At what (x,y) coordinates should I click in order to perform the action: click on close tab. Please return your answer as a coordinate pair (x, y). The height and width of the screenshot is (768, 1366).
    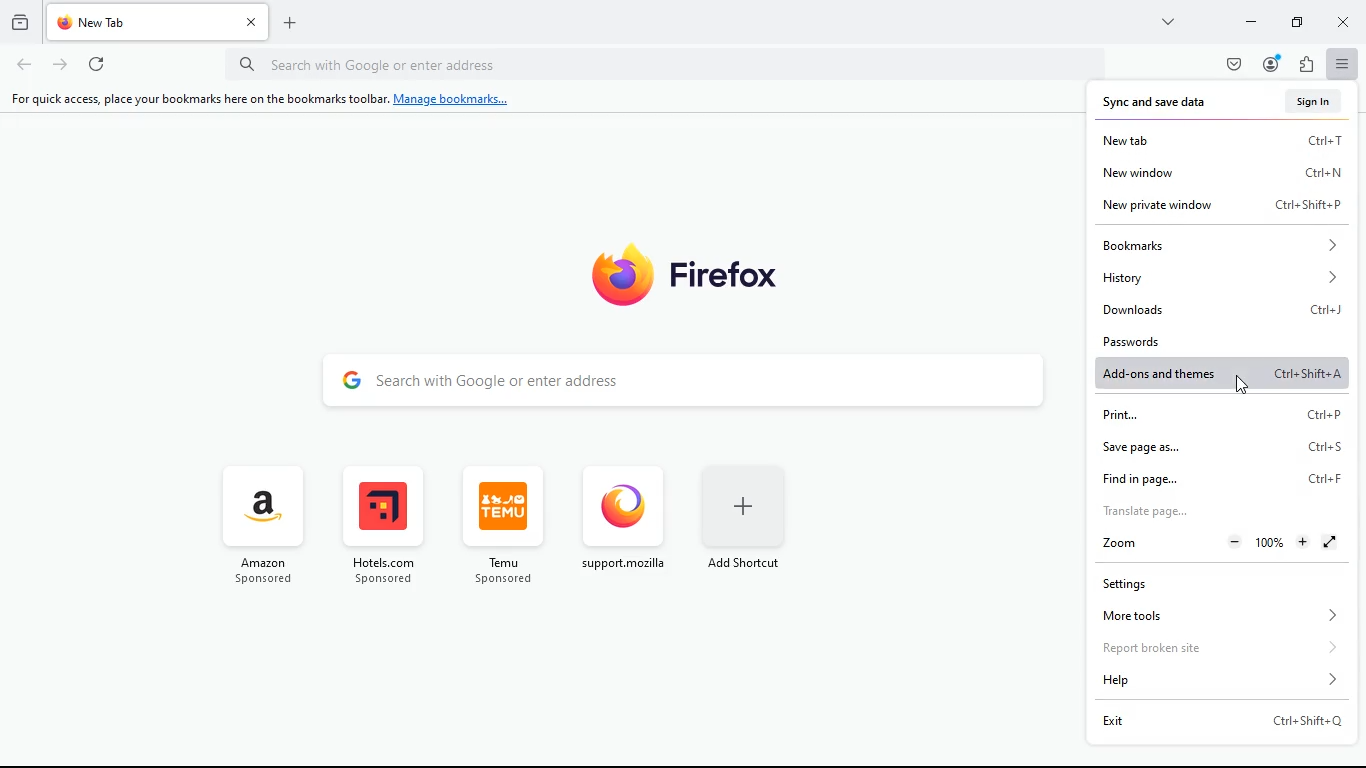
    Looking at the image, I should click on (252, 20).